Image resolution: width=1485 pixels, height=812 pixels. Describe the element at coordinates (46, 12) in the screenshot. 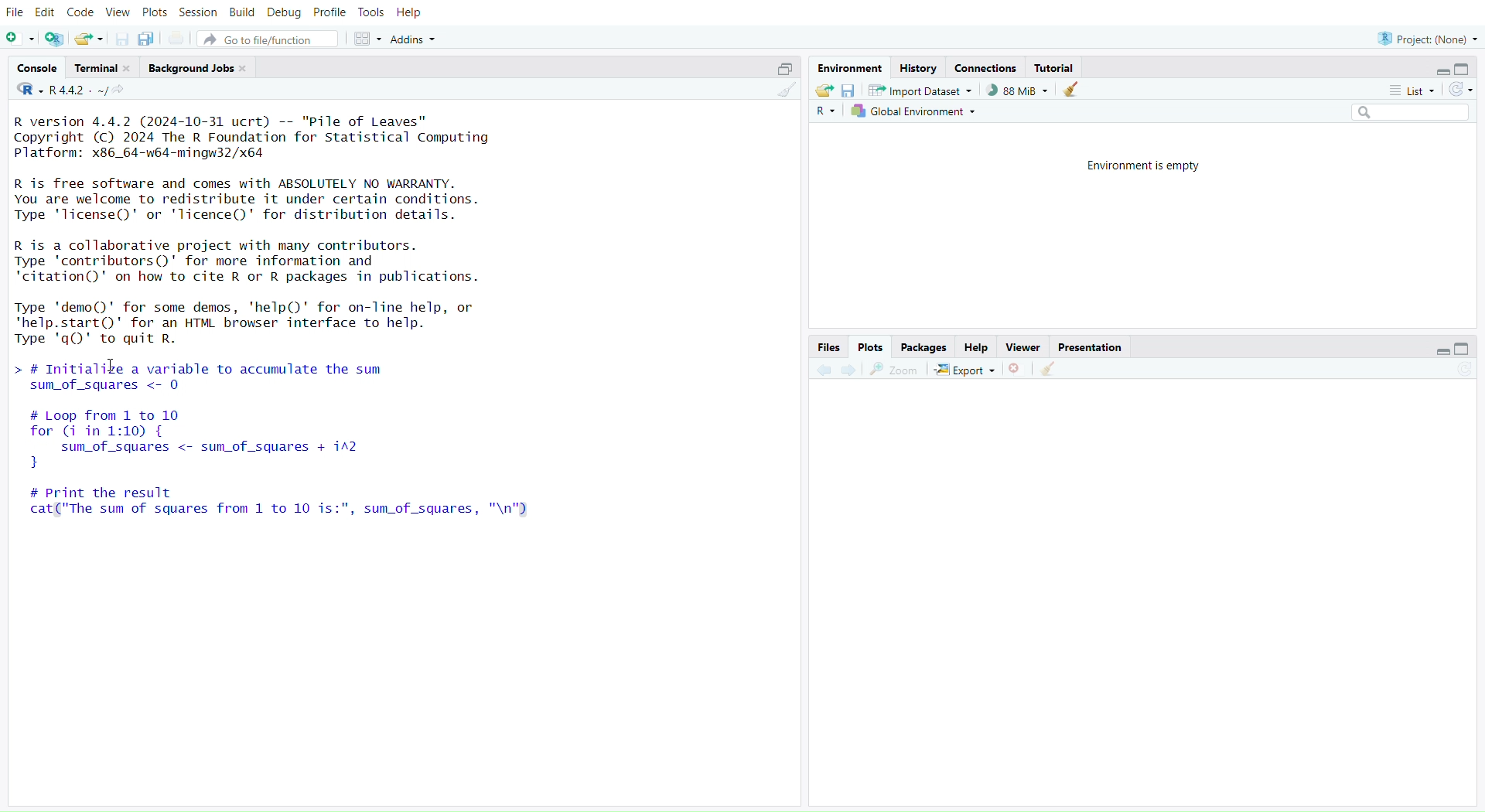

I see `edit` at that location.